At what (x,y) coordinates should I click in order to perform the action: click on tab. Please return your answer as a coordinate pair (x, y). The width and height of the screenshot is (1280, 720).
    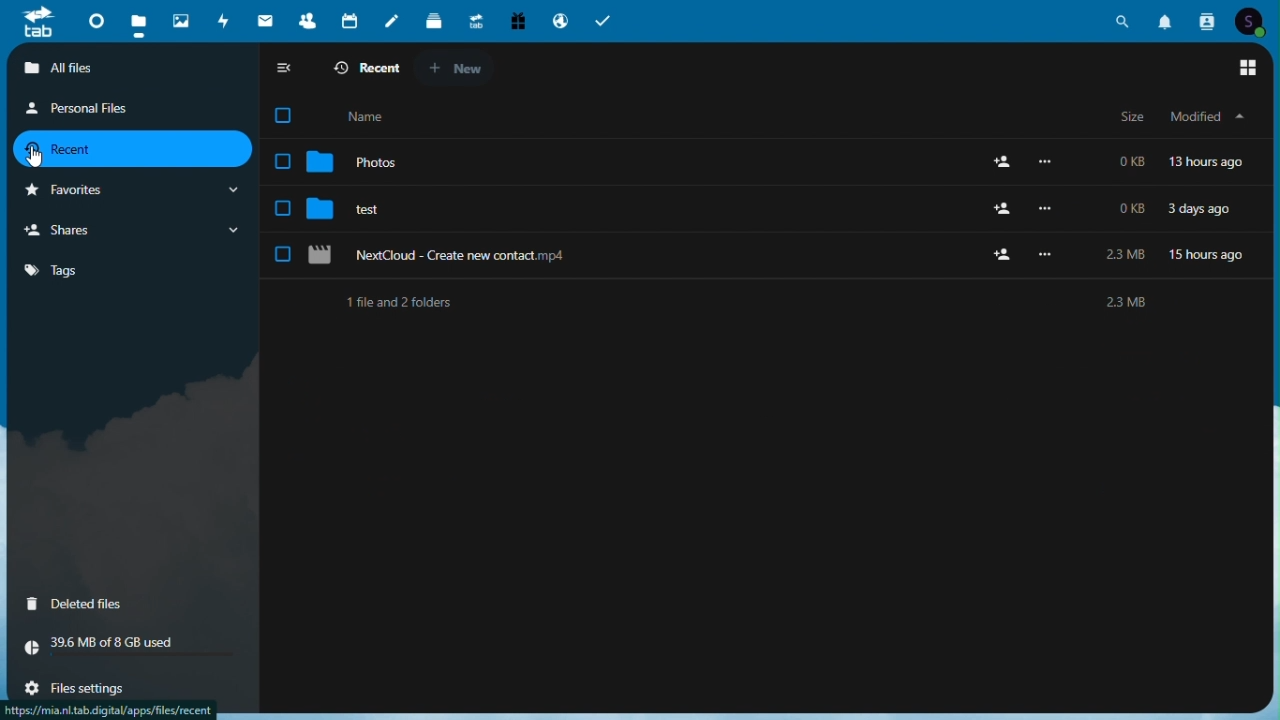
    Looking at the image, I should click on (34, 22).